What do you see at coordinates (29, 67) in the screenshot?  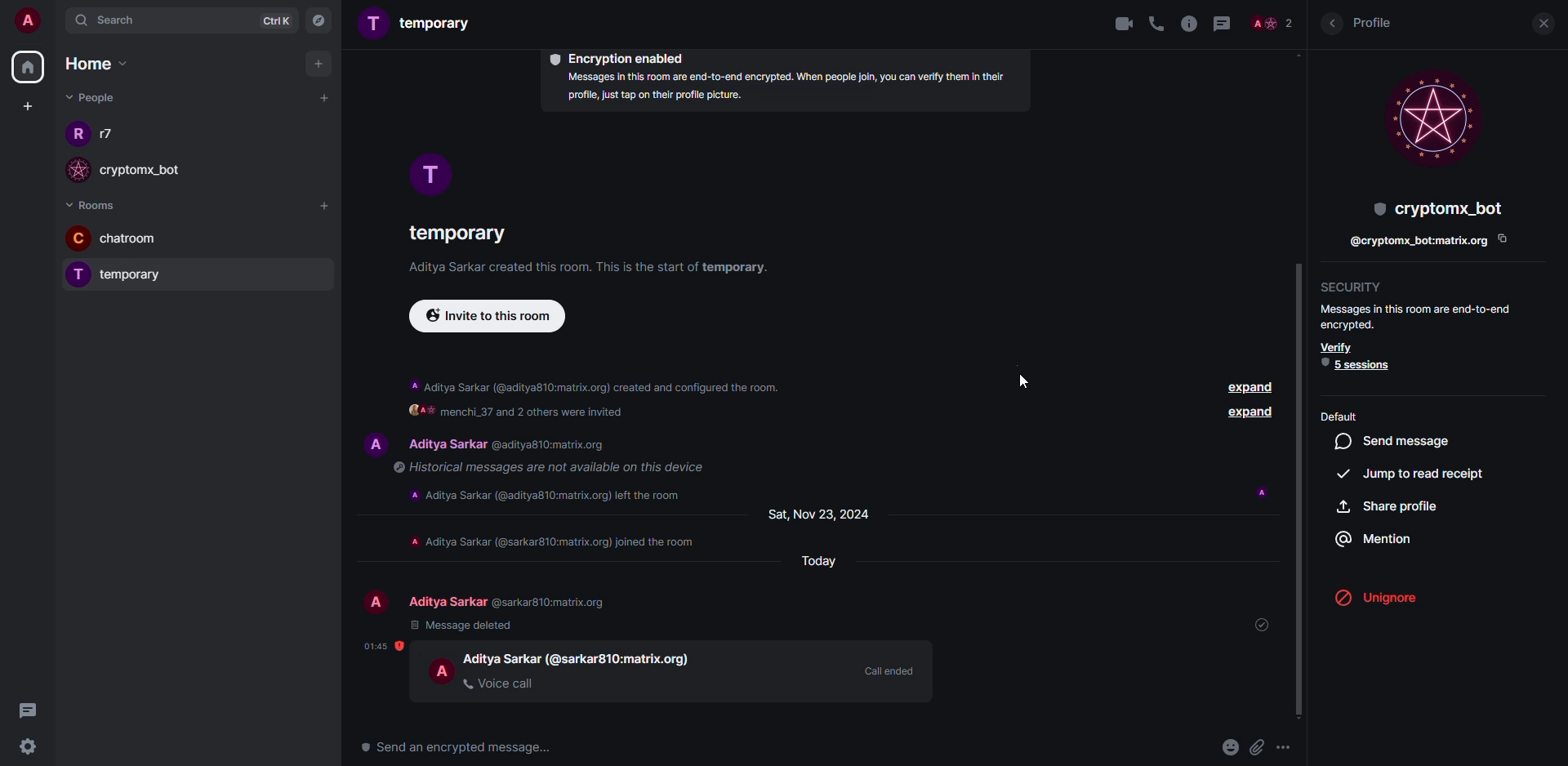 I see `home` at bounding box center [29, 67].